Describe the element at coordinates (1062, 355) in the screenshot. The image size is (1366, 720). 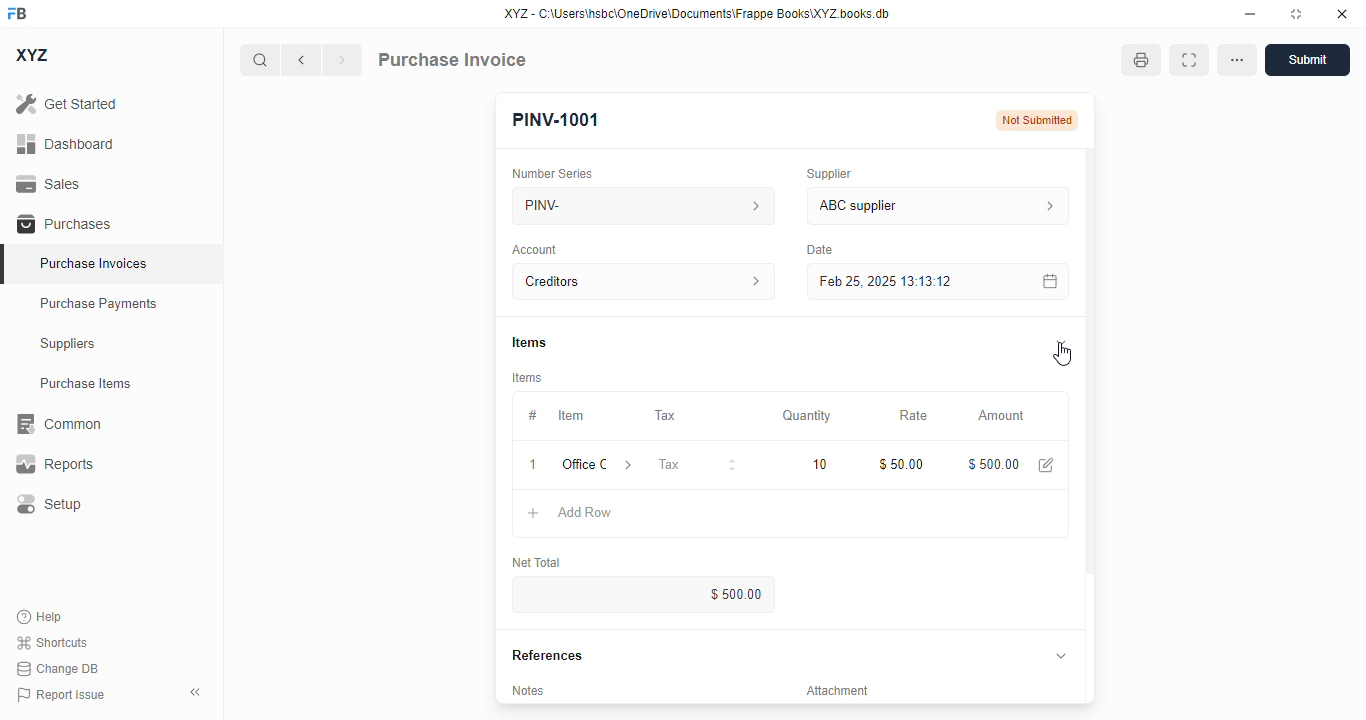
I see `cursor` at that location.